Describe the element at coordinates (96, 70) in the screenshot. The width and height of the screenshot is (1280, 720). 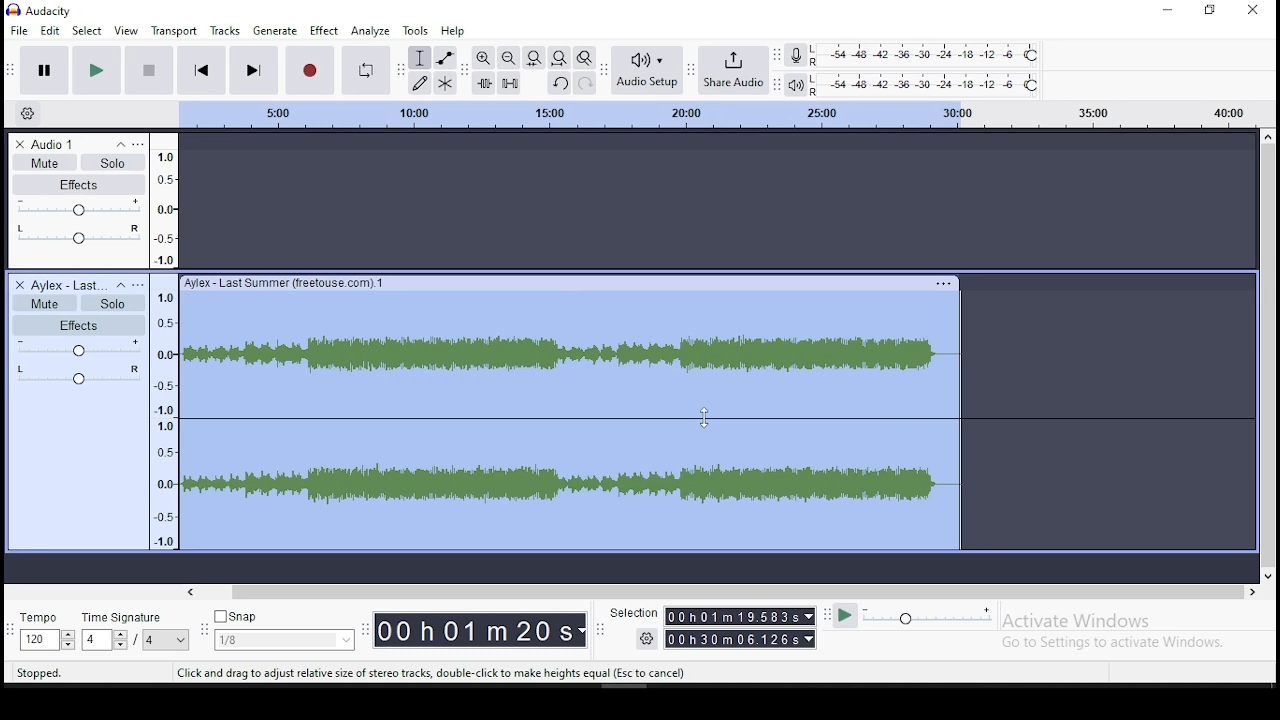
I see `play` at that location.